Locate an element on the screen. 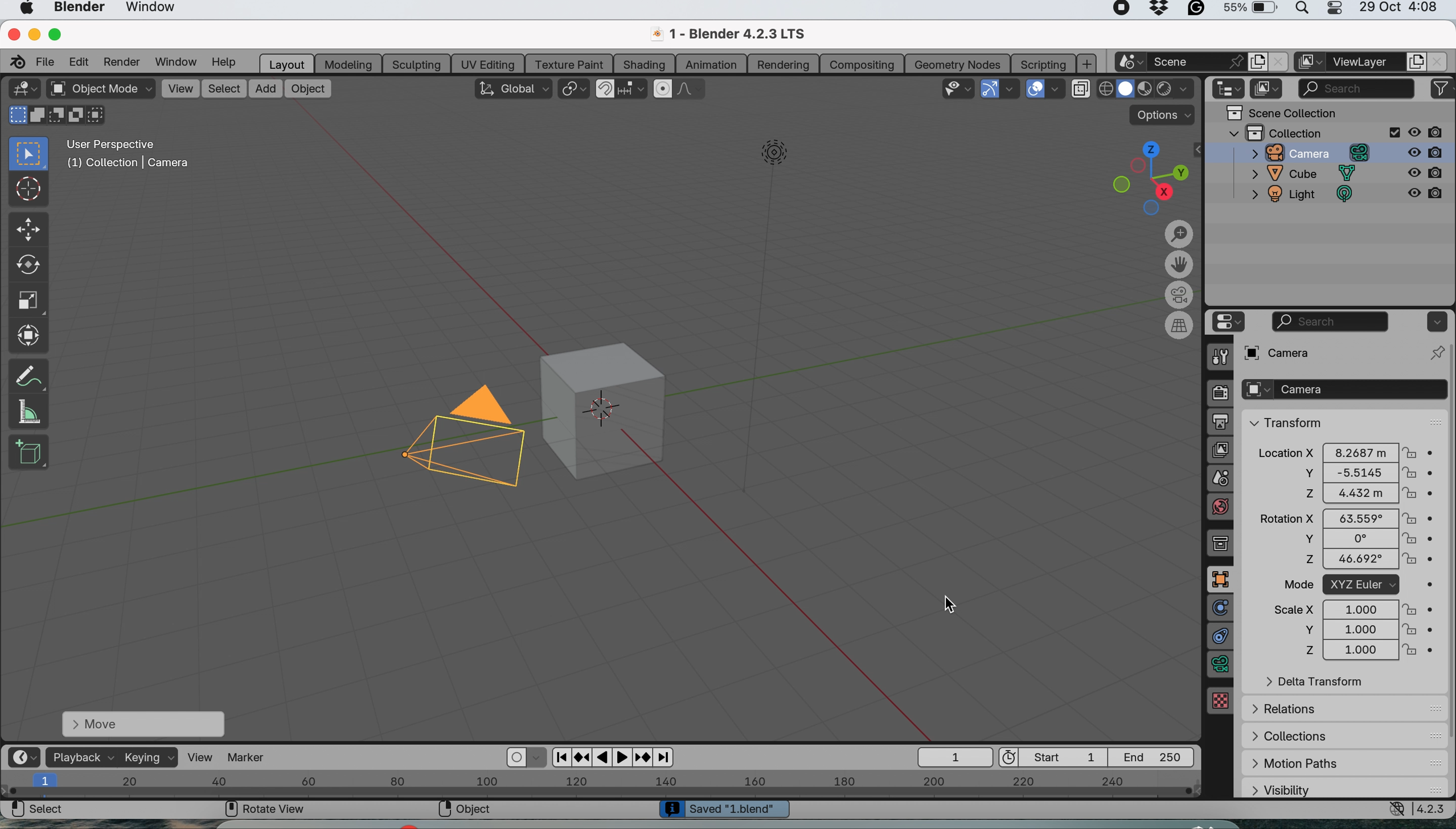 Image resolution: width=1456 pixels, height=829 pixels. toggle camera view is located at coordinates (1179, 295).